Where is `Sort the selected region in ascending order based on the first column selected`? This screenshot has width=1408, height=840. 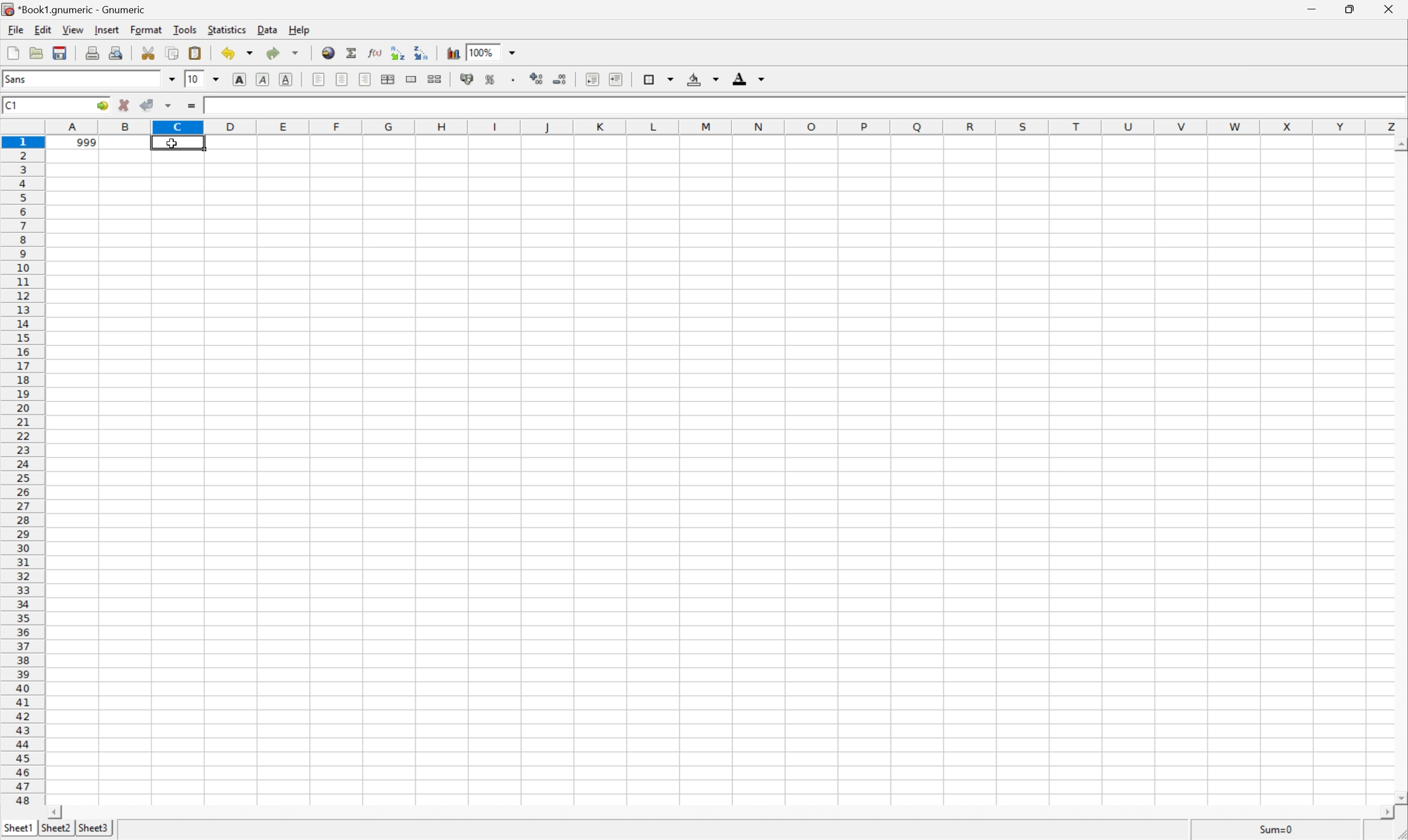
Sort the selected region in ascending order based on the first column selected is located at coordinates (398, 52).